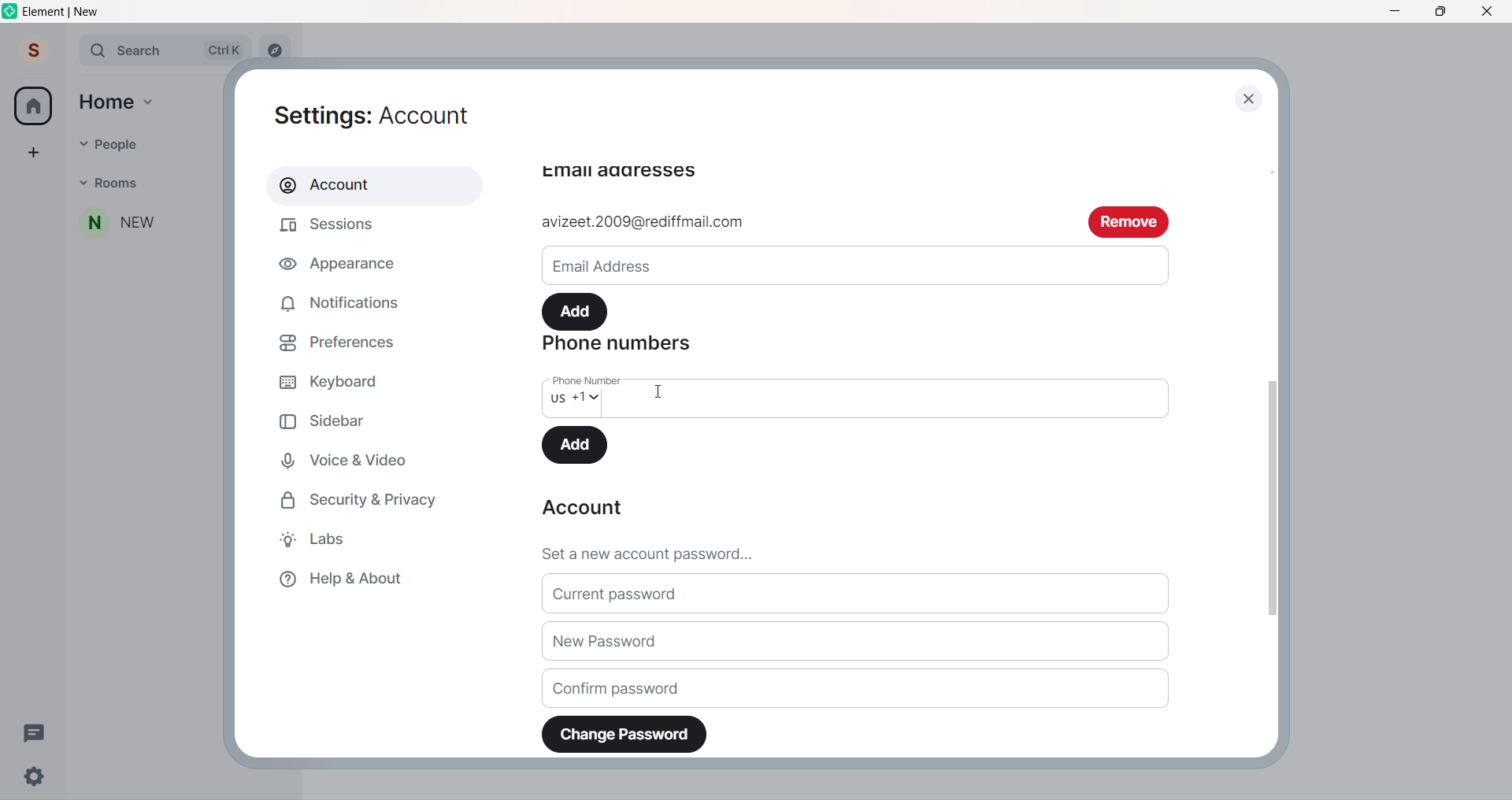 The width and height of the screenshot is (1512, 800). I want to click on Home dropdown, so click(150, 100).